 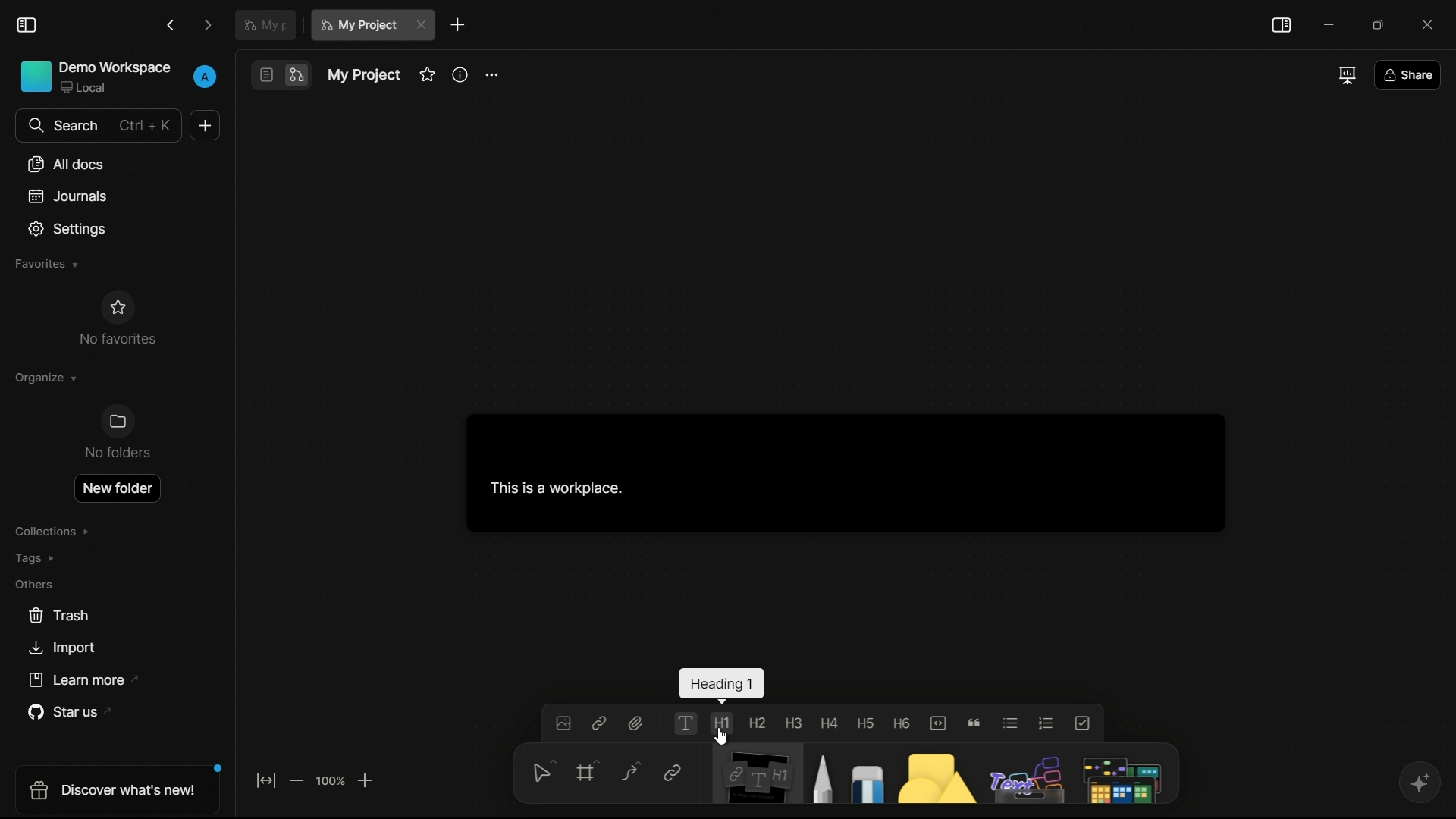 What do you see at coordinates (494, 72) in the screenshot?
I see `more options` at bounding box center [494, 72].